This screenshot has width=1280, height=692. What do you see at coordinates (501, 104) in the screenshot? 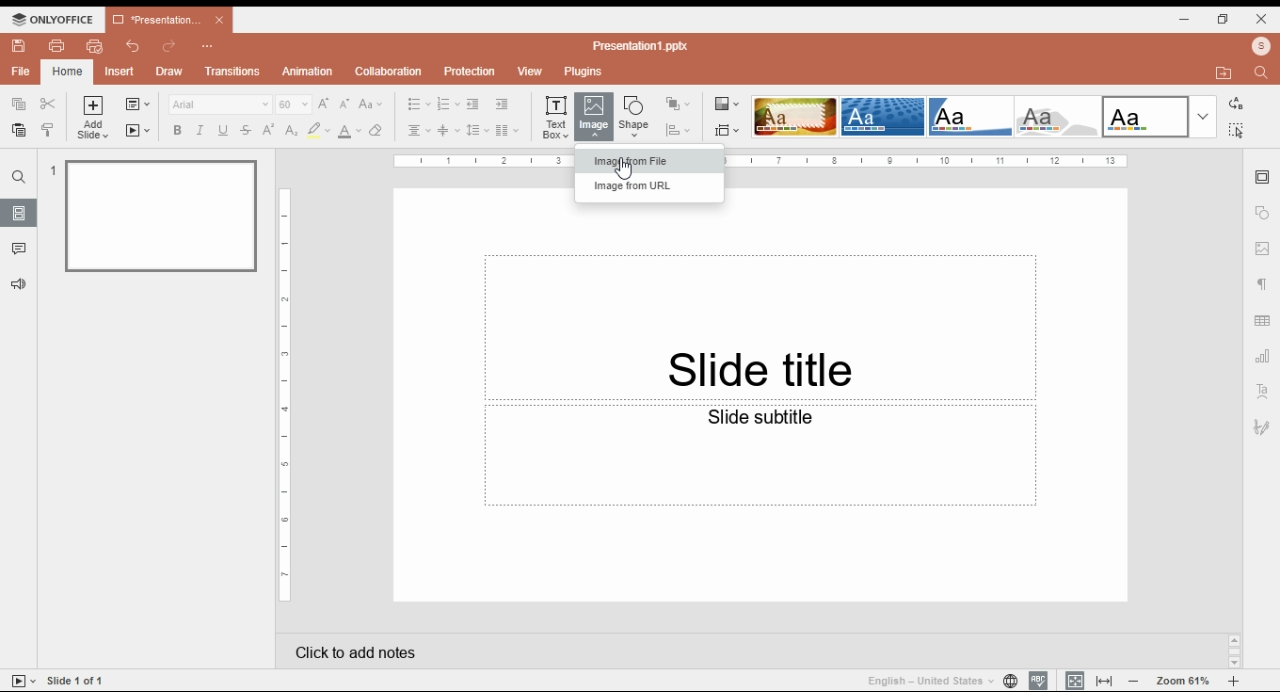
I see `decrease indent` at bounding box center [501, 104].